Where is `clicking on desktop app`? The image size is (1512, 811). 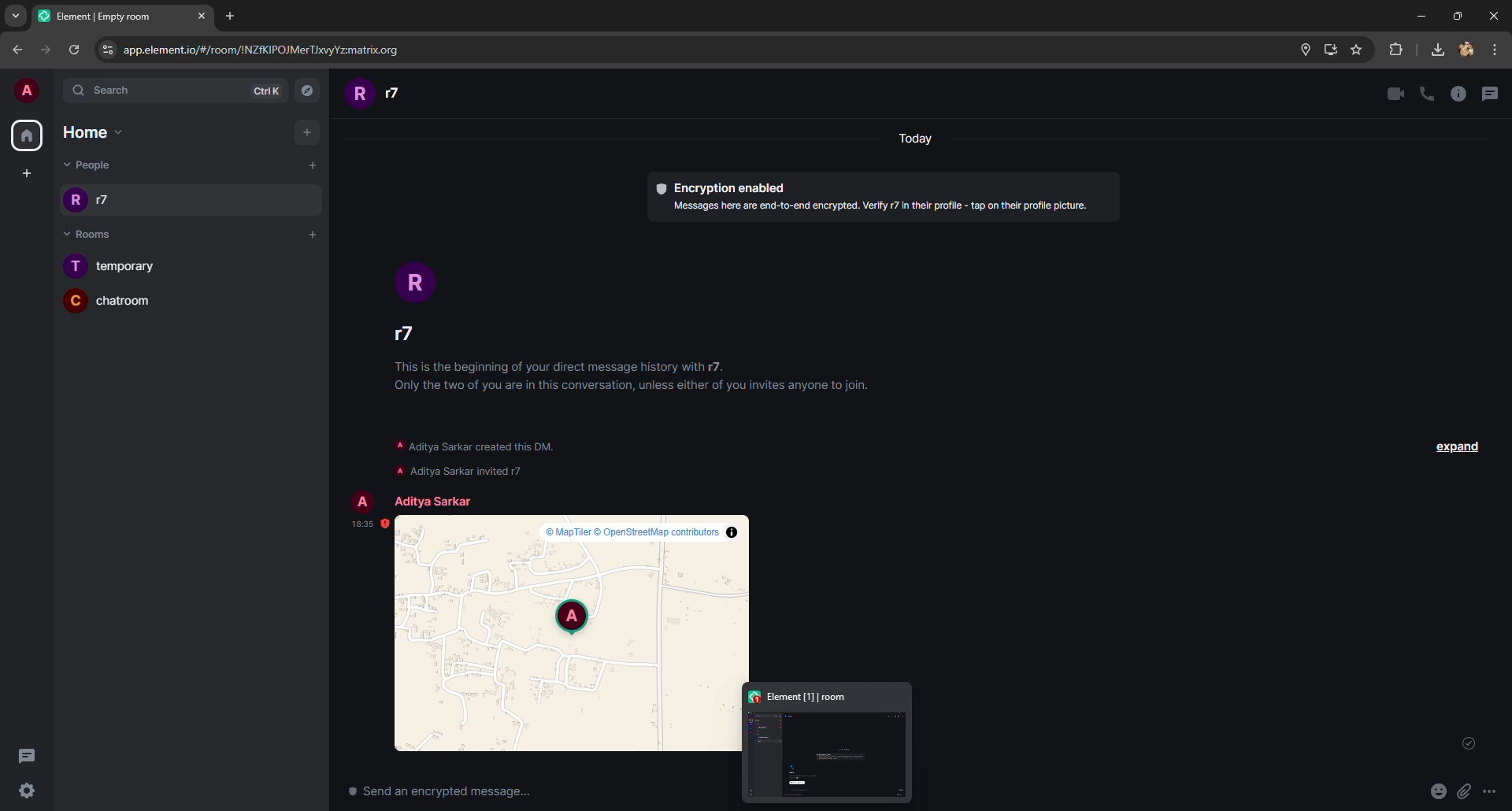 clicking on desktop app is located at coordinates (826, 747).